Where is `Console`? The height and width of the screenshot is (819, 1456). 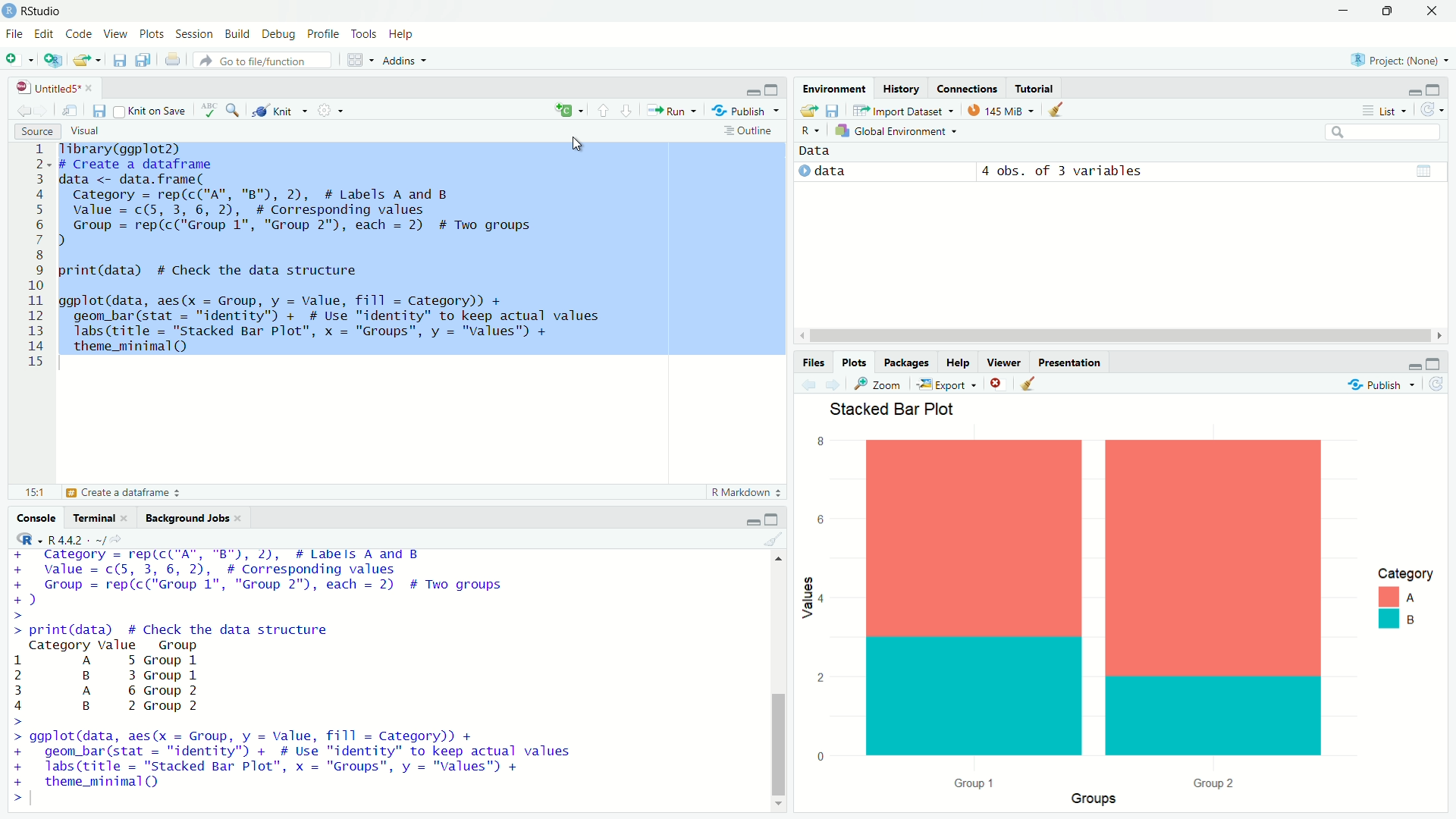 Console is located at coordinates (37, 516).